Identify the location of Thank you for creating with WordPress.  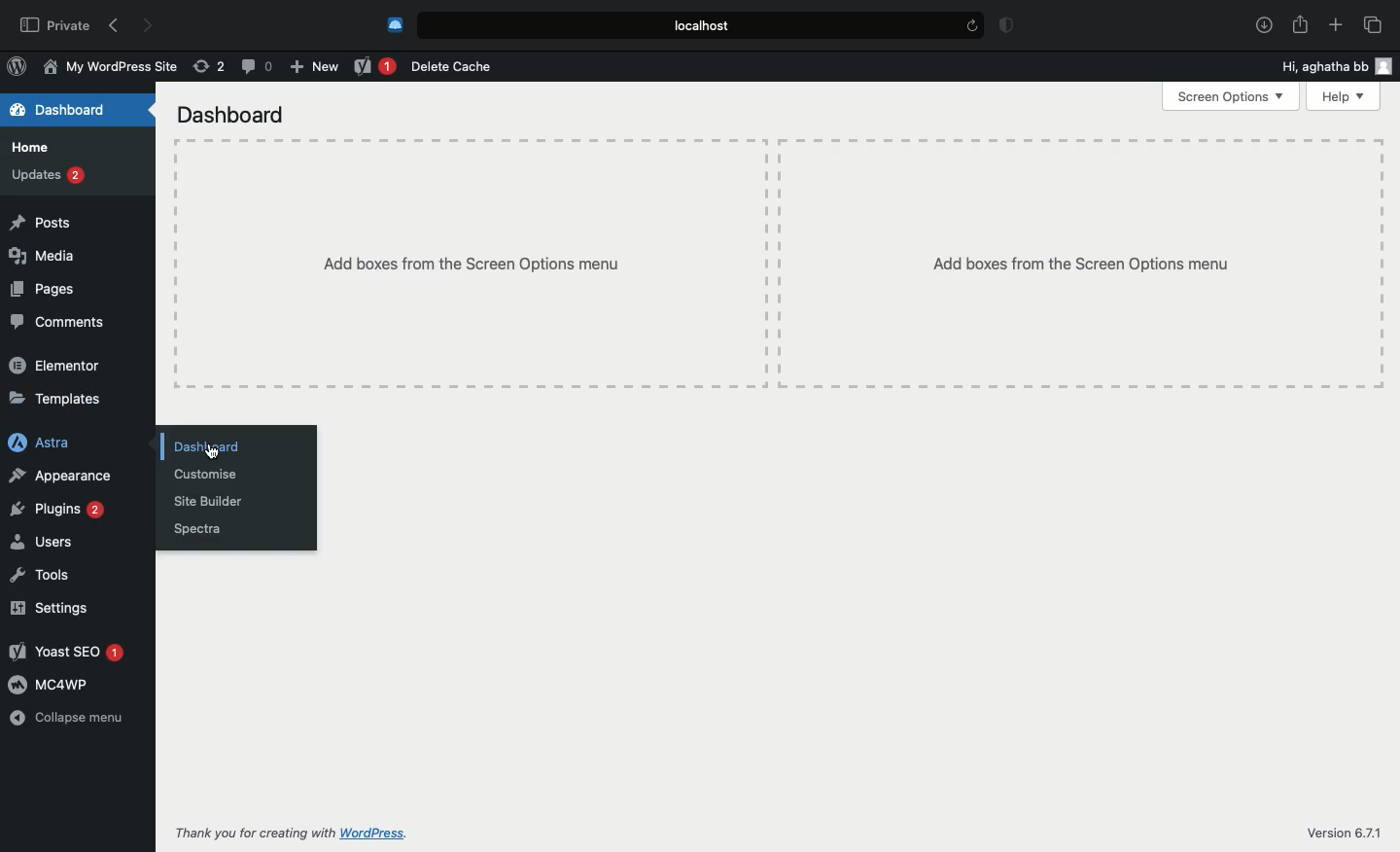
(254, 833).